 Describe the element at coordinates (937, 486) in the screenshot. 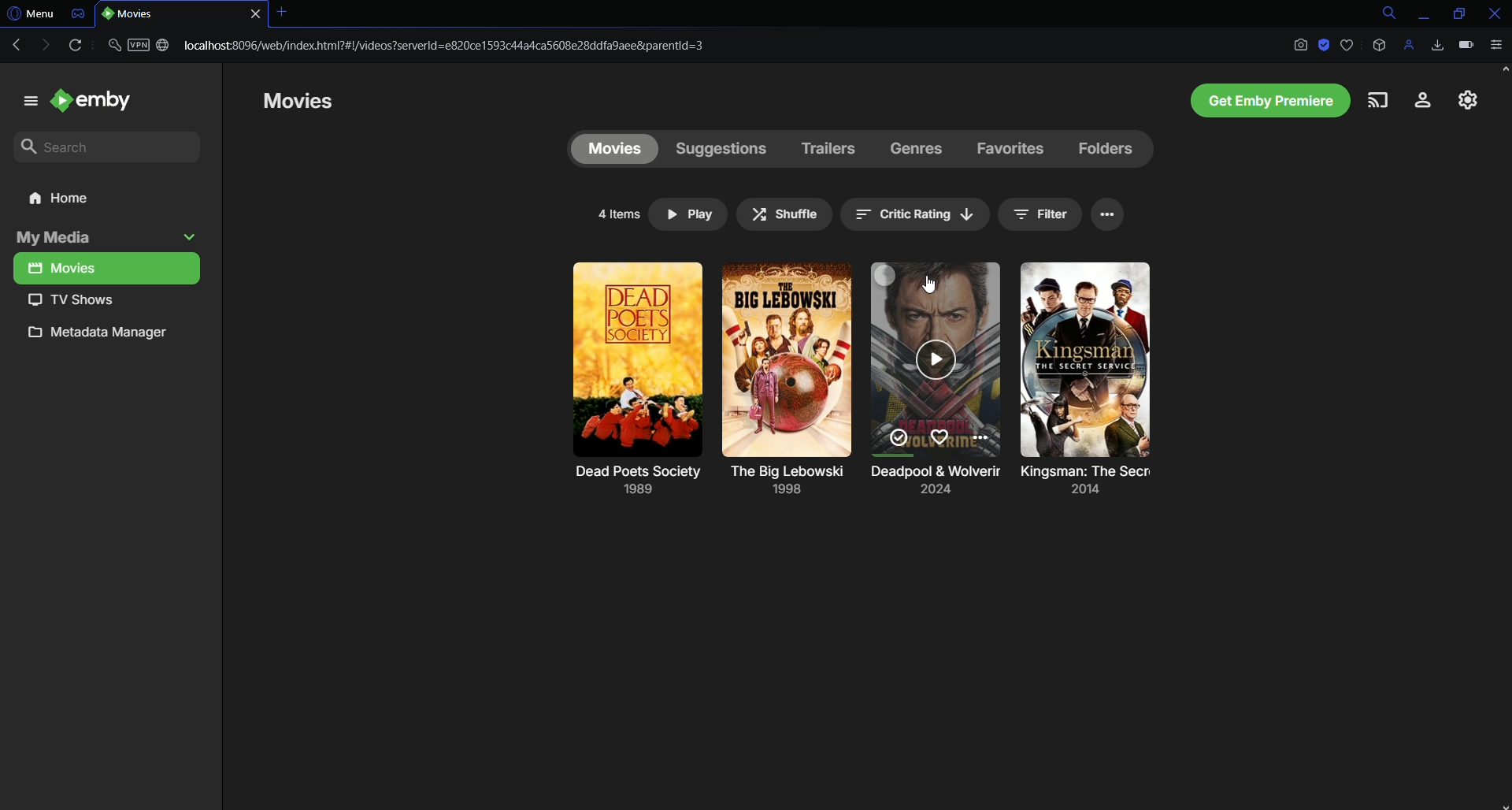

I see `Kingsman` at that location.